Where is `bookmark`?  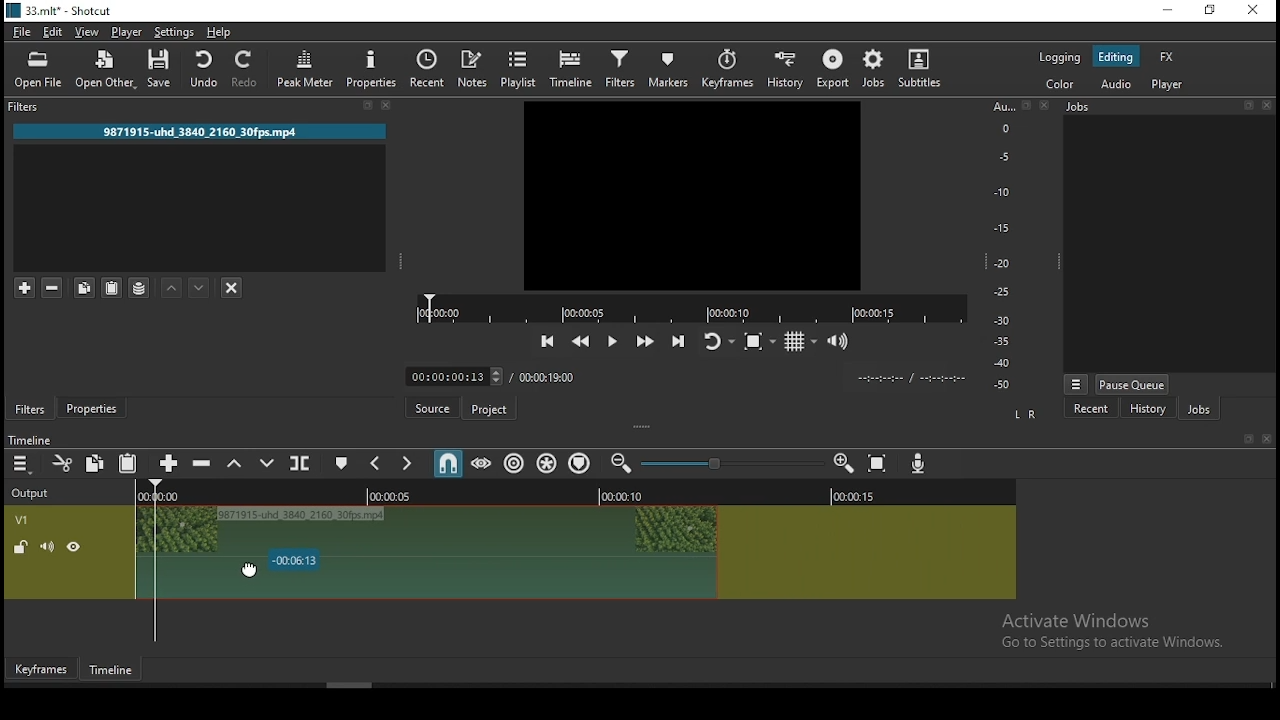
bookmark is located at coordinates (1245, 106).